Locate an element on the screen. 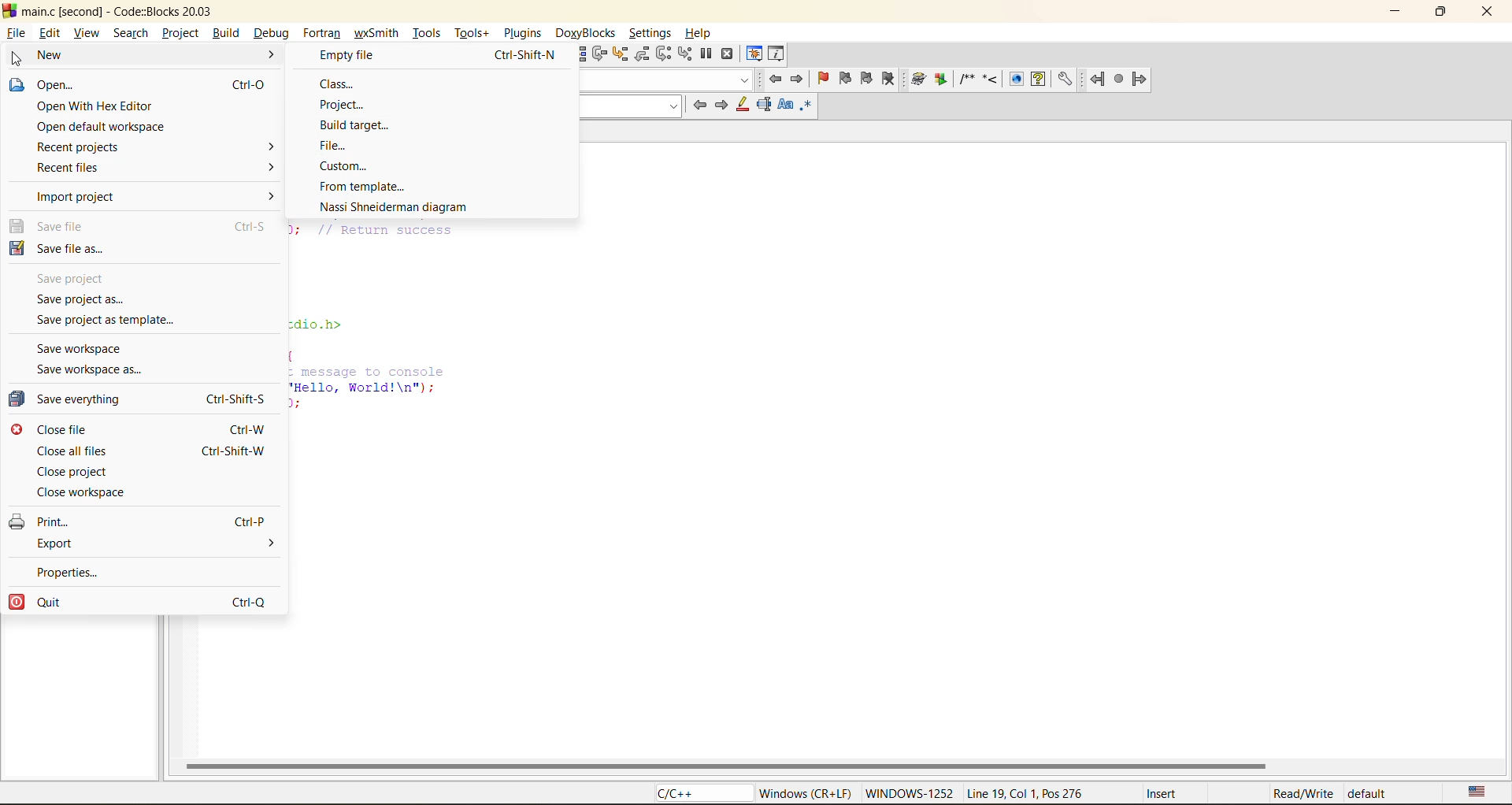 The height and width of the screenshot is (805, 1512). file is located at coordinates (346, 144).